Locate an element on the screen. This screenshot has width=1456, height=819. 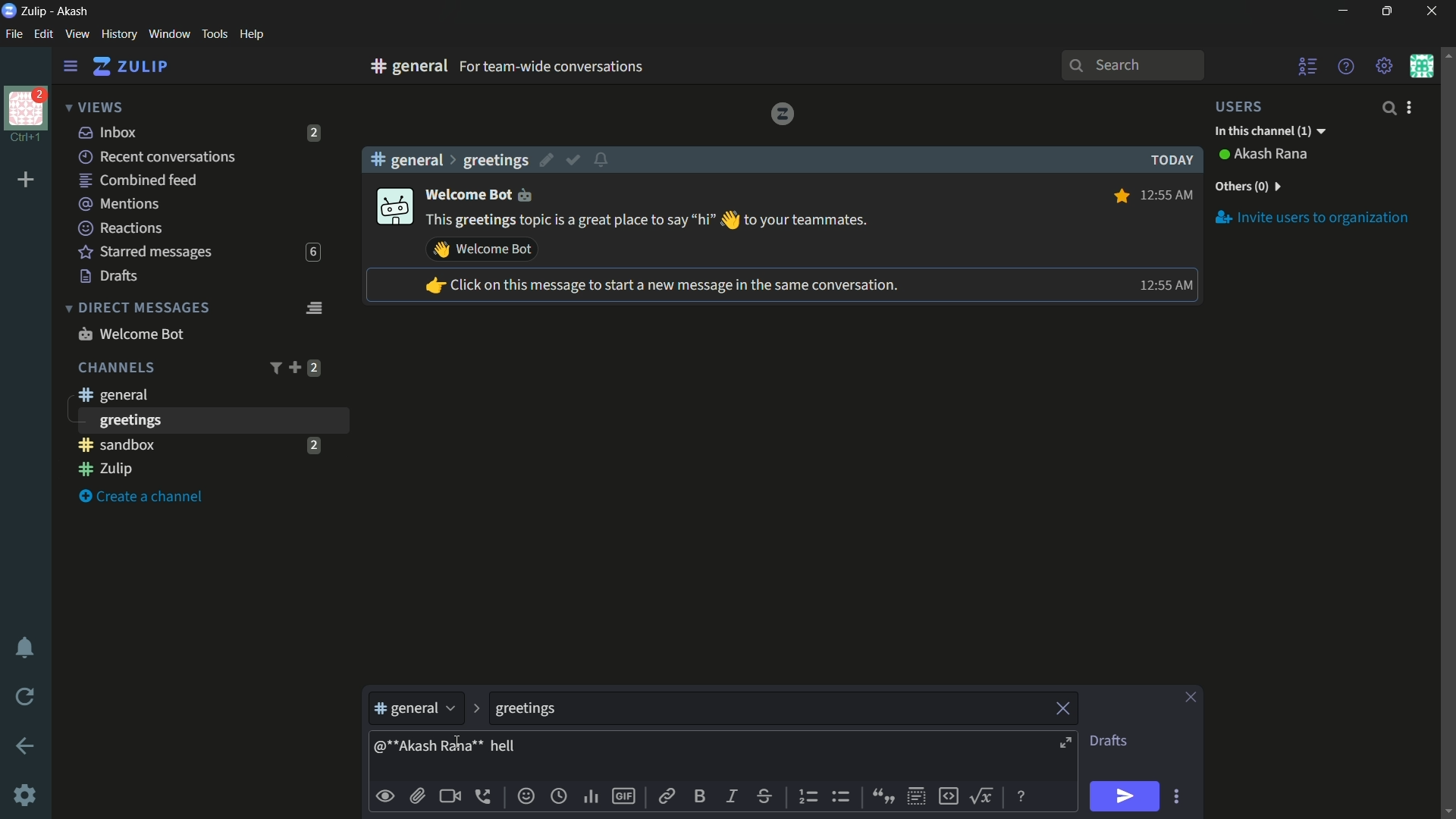
 is located at coordinates (386, 796).